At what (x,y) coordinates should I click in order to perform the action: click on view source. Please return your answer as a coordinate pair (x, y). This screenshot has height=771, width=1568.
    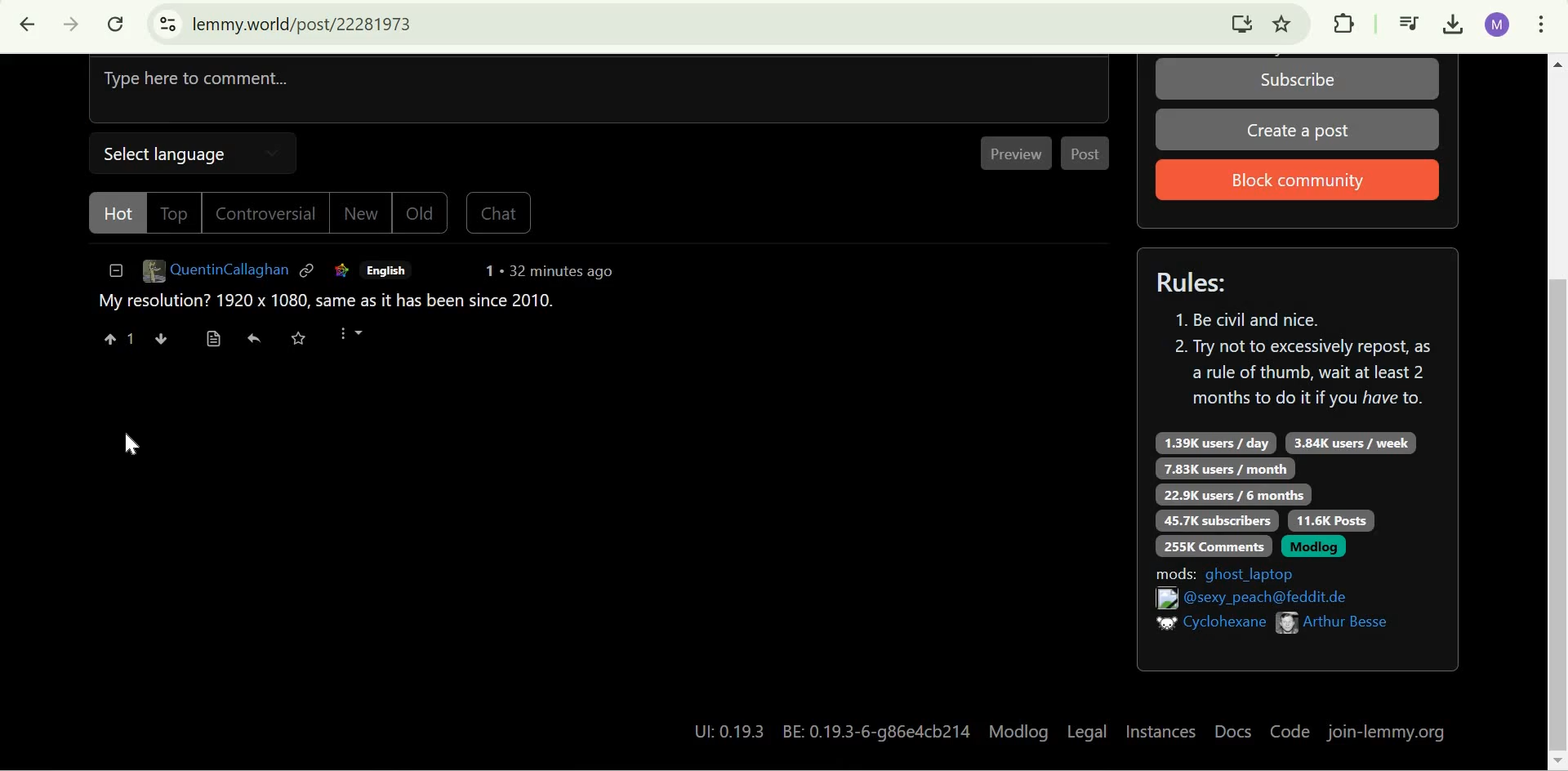
    Looking at the image, I should click on (220, 340).